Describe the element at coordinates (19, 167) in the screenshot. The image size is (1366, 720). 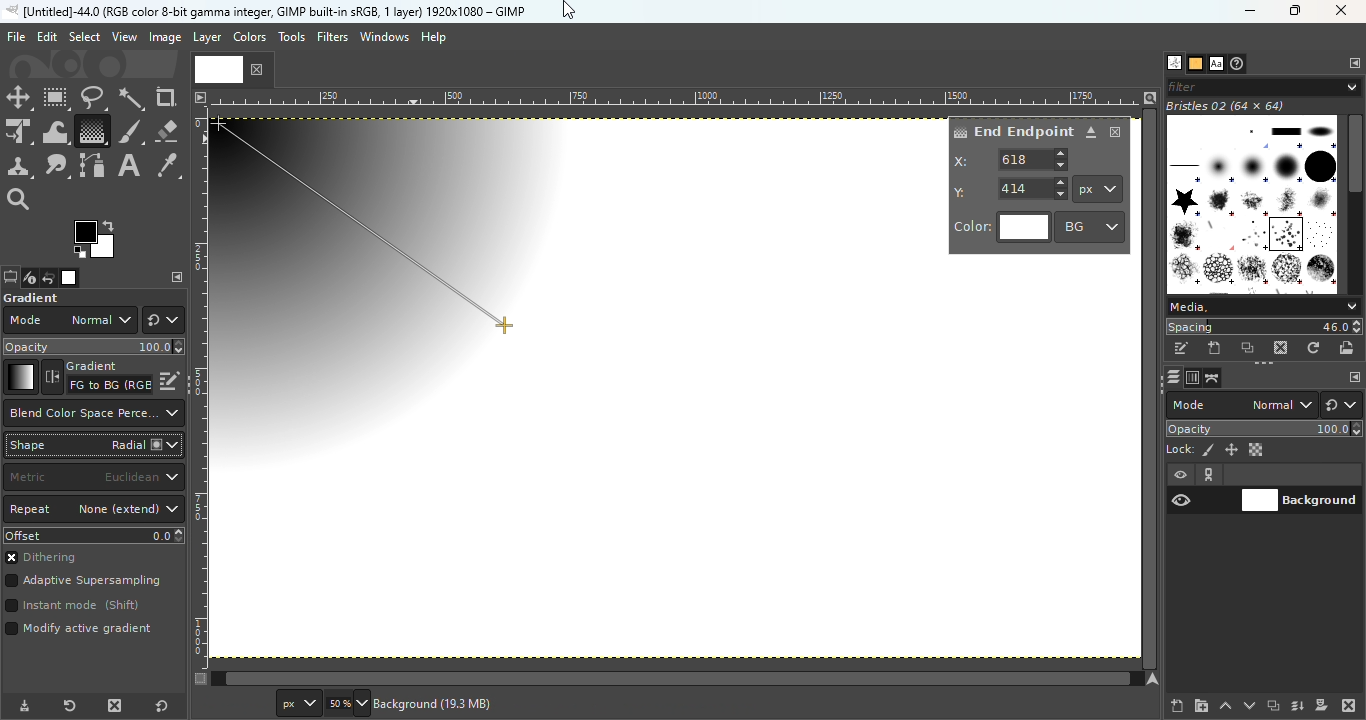
I see `Clone tool` at that location.